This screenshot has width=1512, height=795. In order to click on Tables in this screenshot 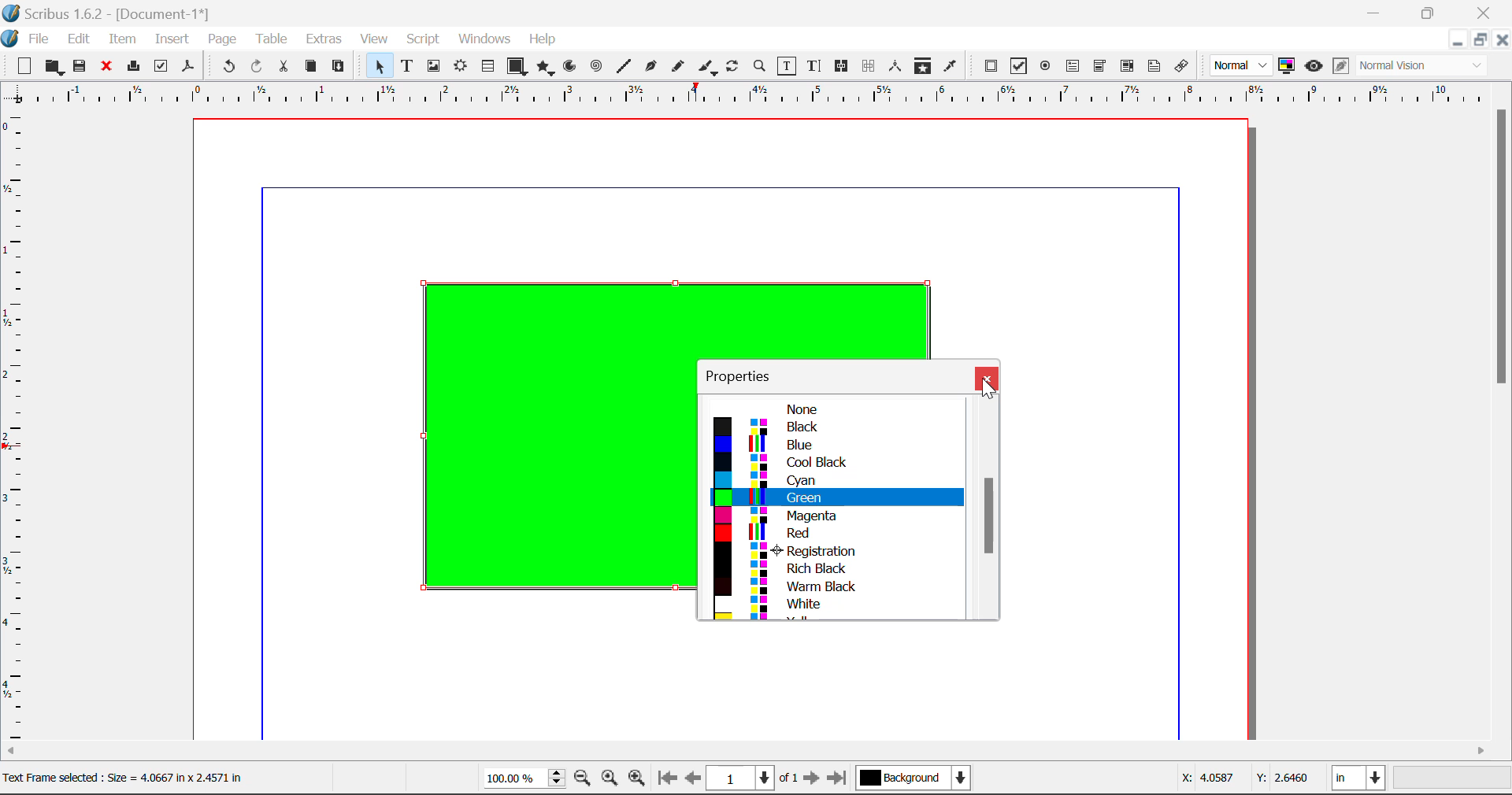, I will do `click(487, 66)`.